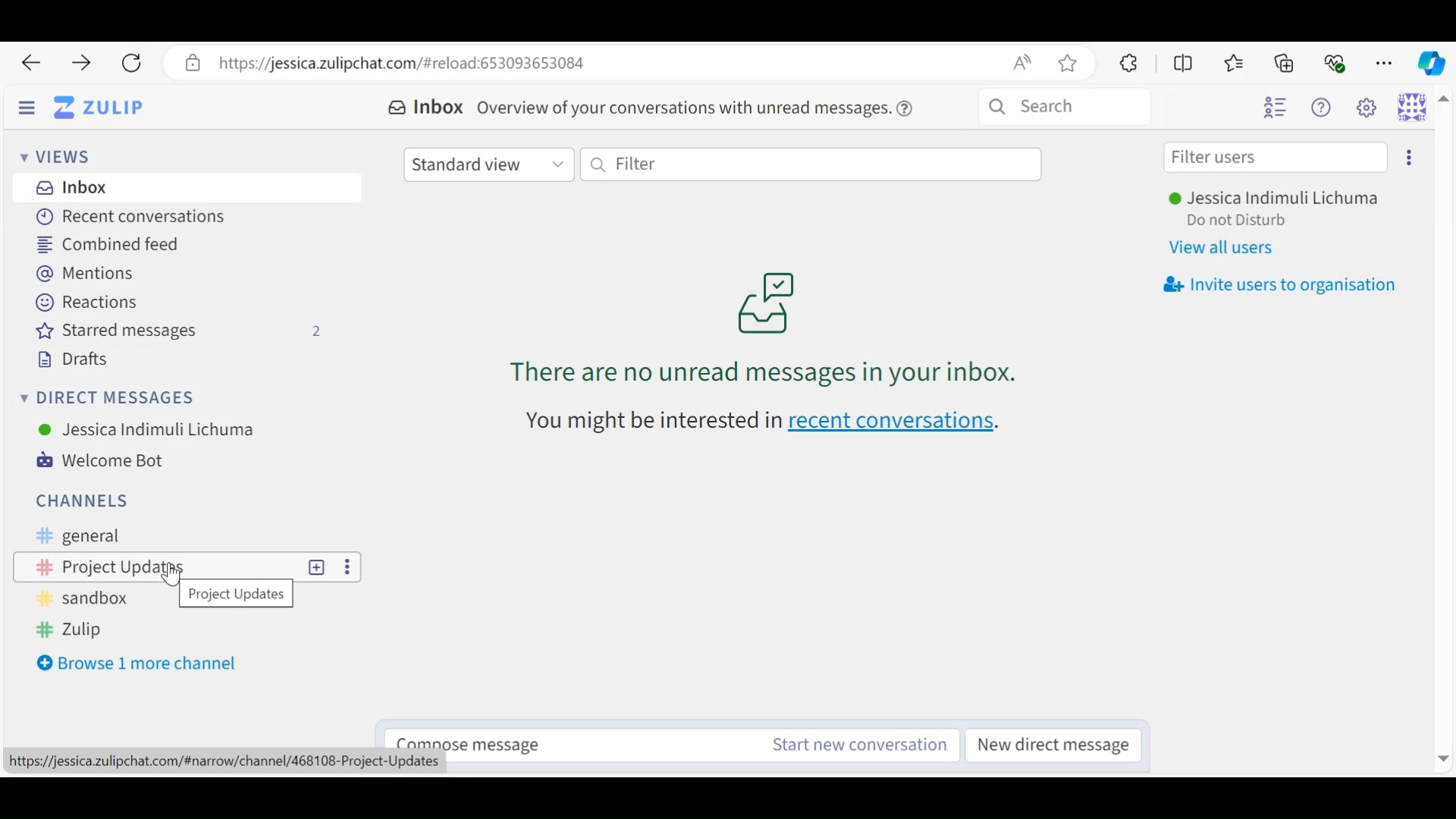 The width and height of the screenshot is (1456, 819). What do you see at coordinates (186, 630) in the screenshot?
I see `Channel` at bounding box center [186, 630].